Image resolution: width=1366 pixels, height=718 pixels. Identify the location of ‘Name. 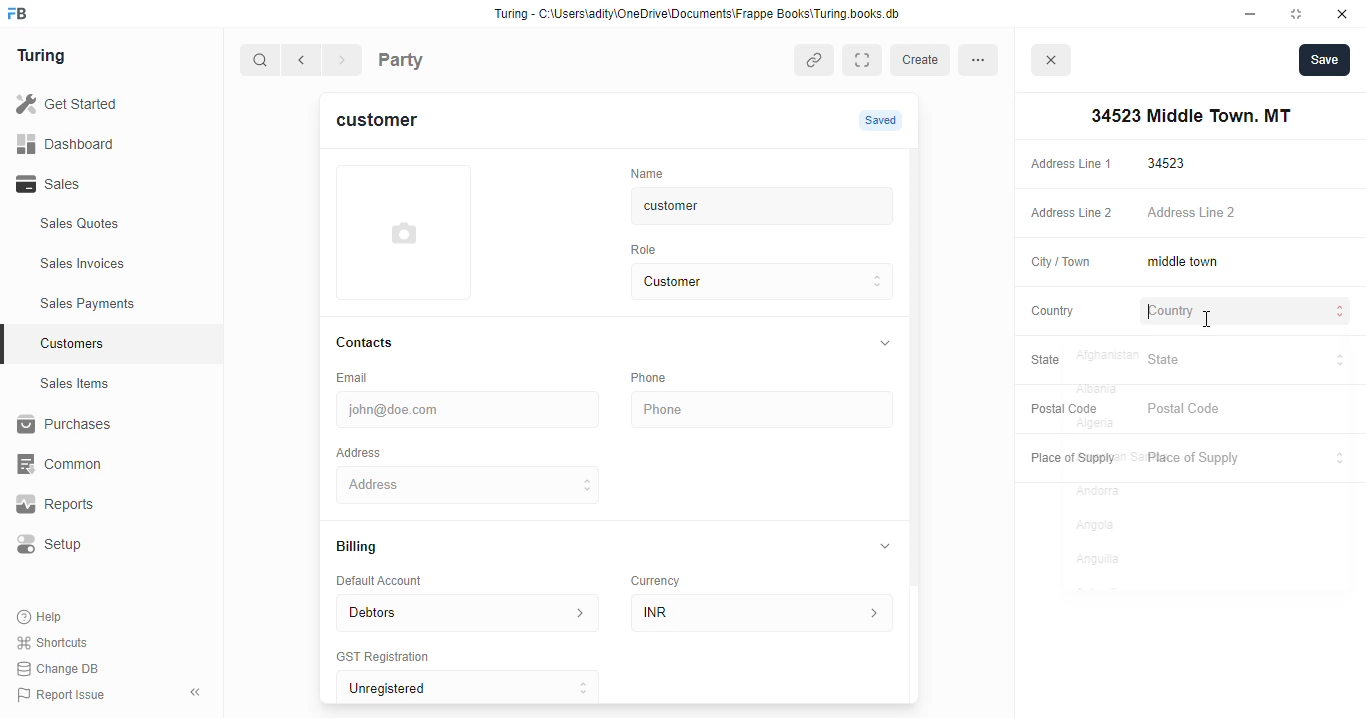
(652, 172).